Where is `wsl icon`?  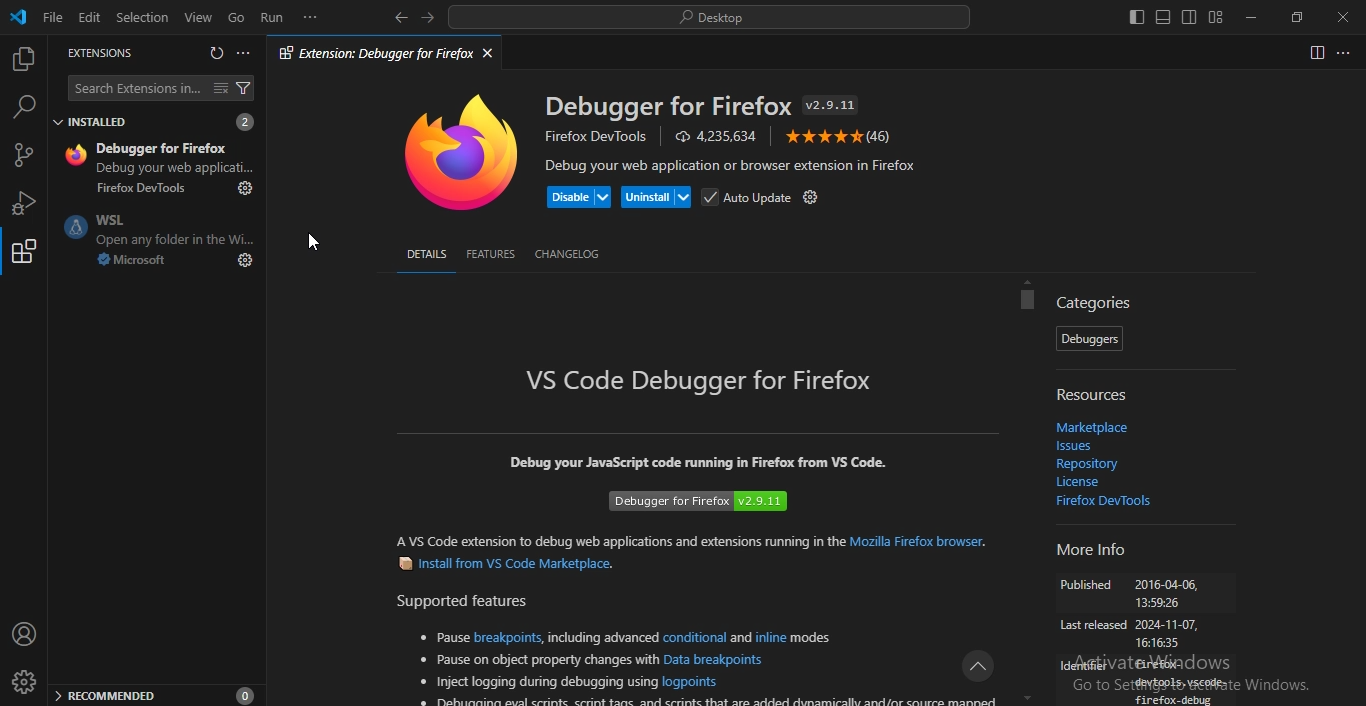 wsl icon is located at coordinates (71, 229).